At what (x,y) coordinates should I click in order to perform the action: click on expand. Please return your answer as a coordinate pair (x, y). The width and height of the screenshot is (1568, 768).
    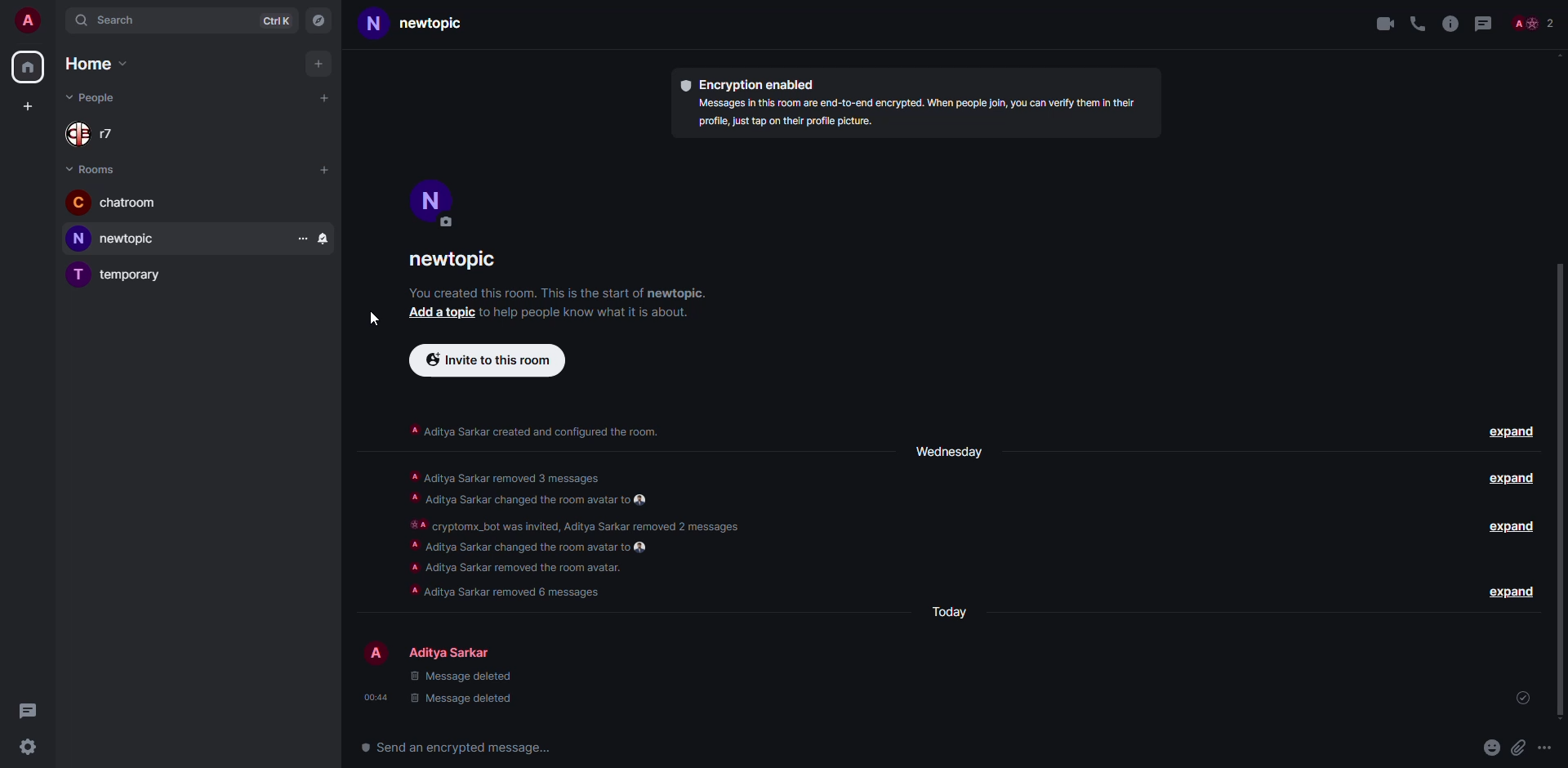
    Looking at the image, I should click on (1511, 431).